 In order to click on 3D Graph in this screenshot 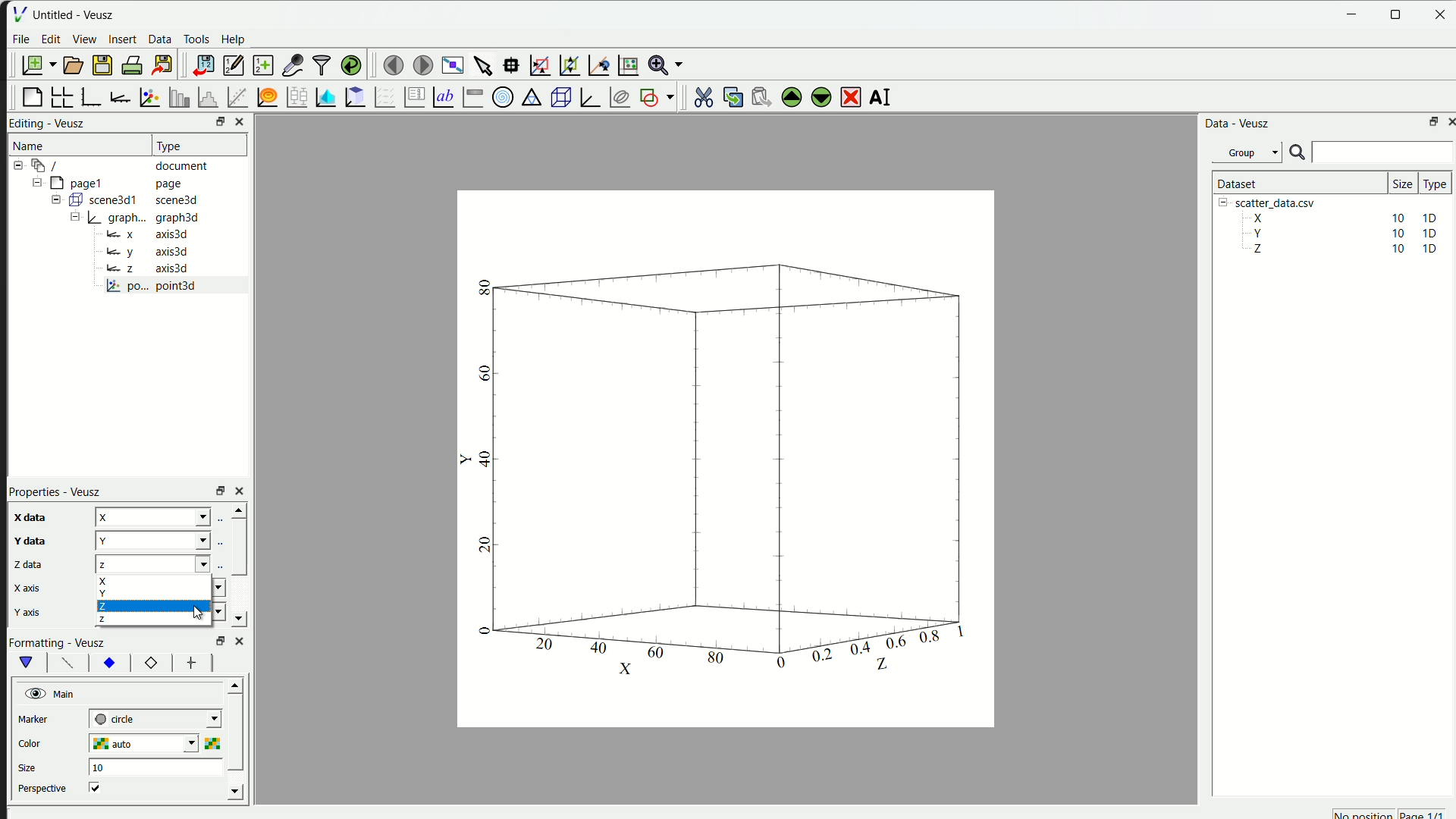, I will do `click(587, 96)`.